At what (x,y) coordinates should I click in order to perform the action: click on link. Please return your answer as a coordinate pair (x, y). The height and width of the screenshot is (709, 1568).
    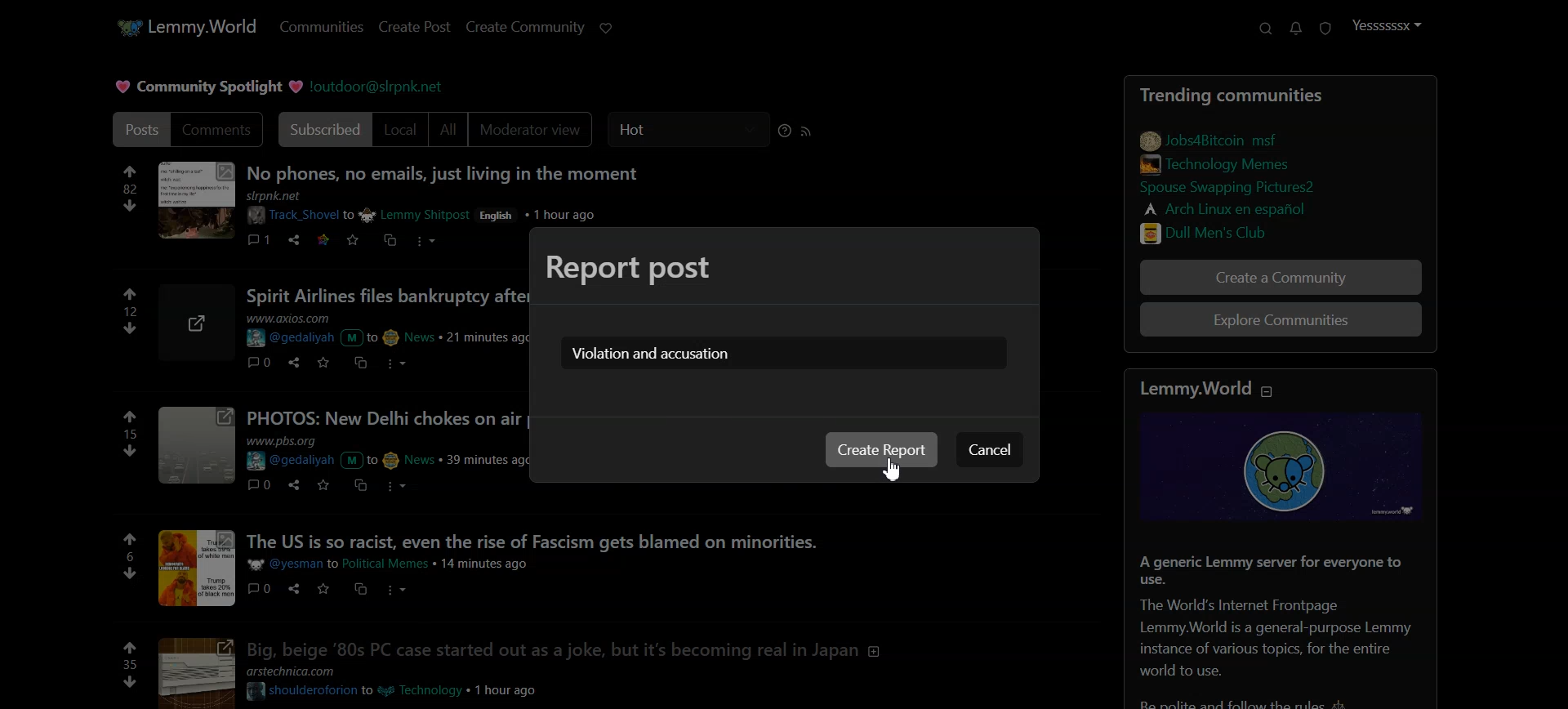
    Looking at the image, I should click on (1247, 189).